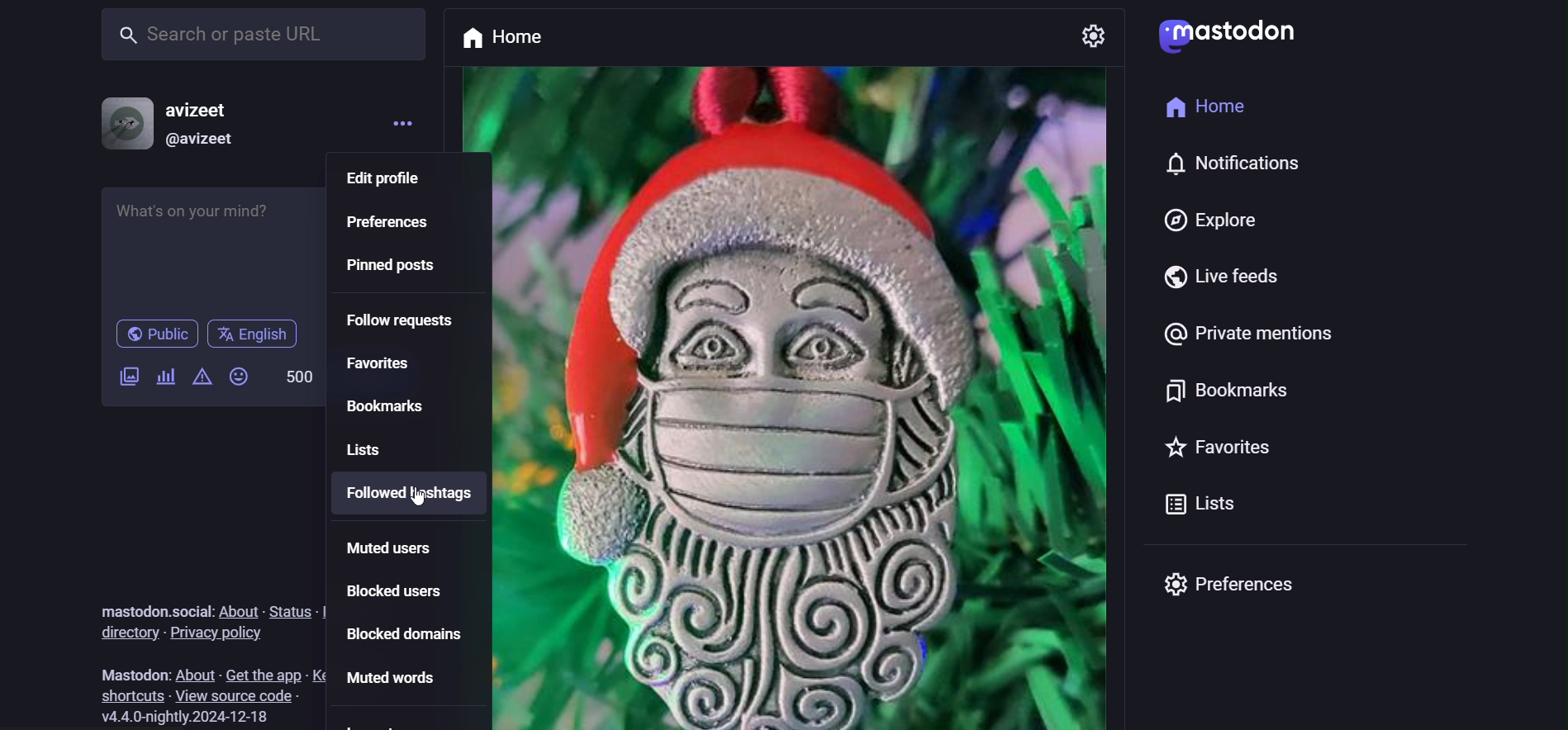 The width and height of the screenshot is (1568, 730). I want to click on menu, so click(393, 122).